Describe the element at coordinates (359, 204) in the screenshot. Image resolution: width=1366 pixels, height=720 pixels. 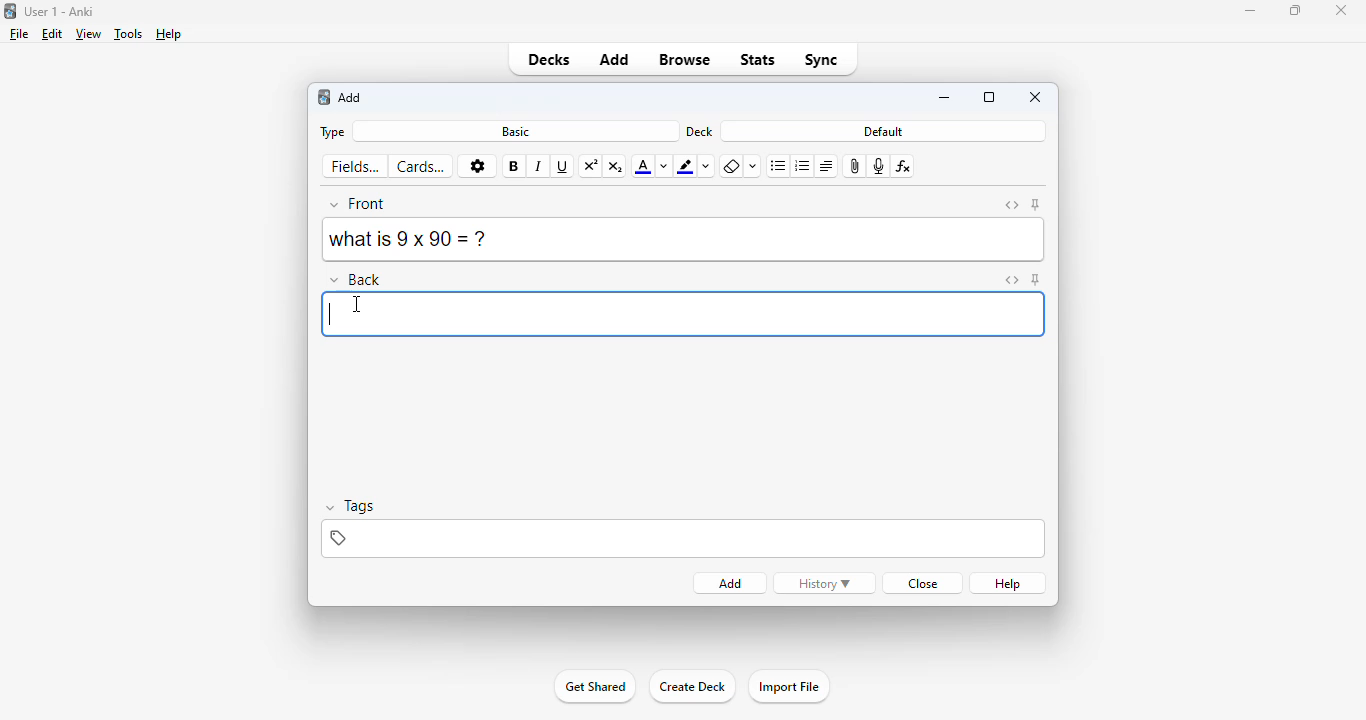
I see `front` at that location.